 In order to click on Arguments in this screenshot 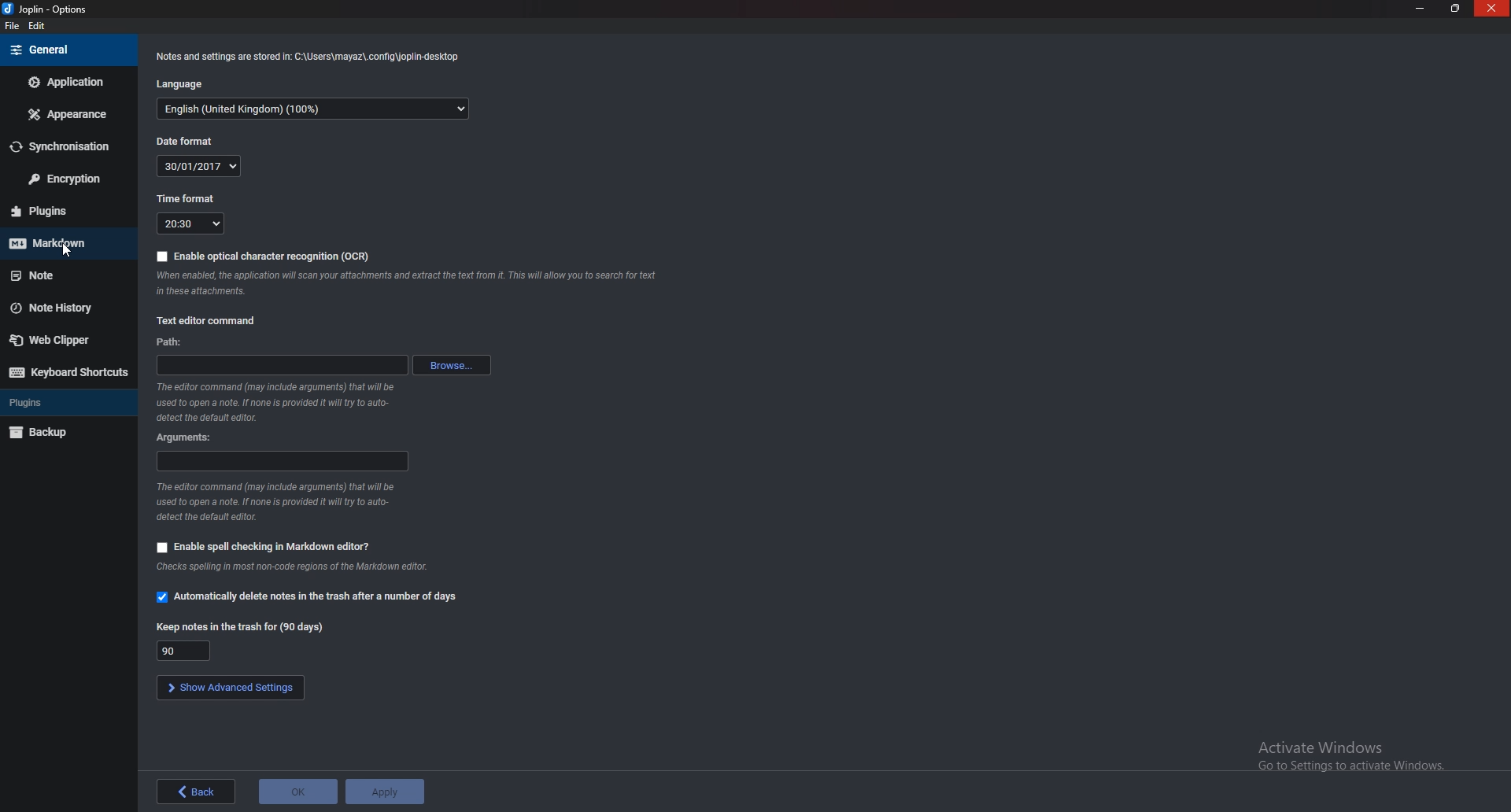, I will do `click(183, 437)`.